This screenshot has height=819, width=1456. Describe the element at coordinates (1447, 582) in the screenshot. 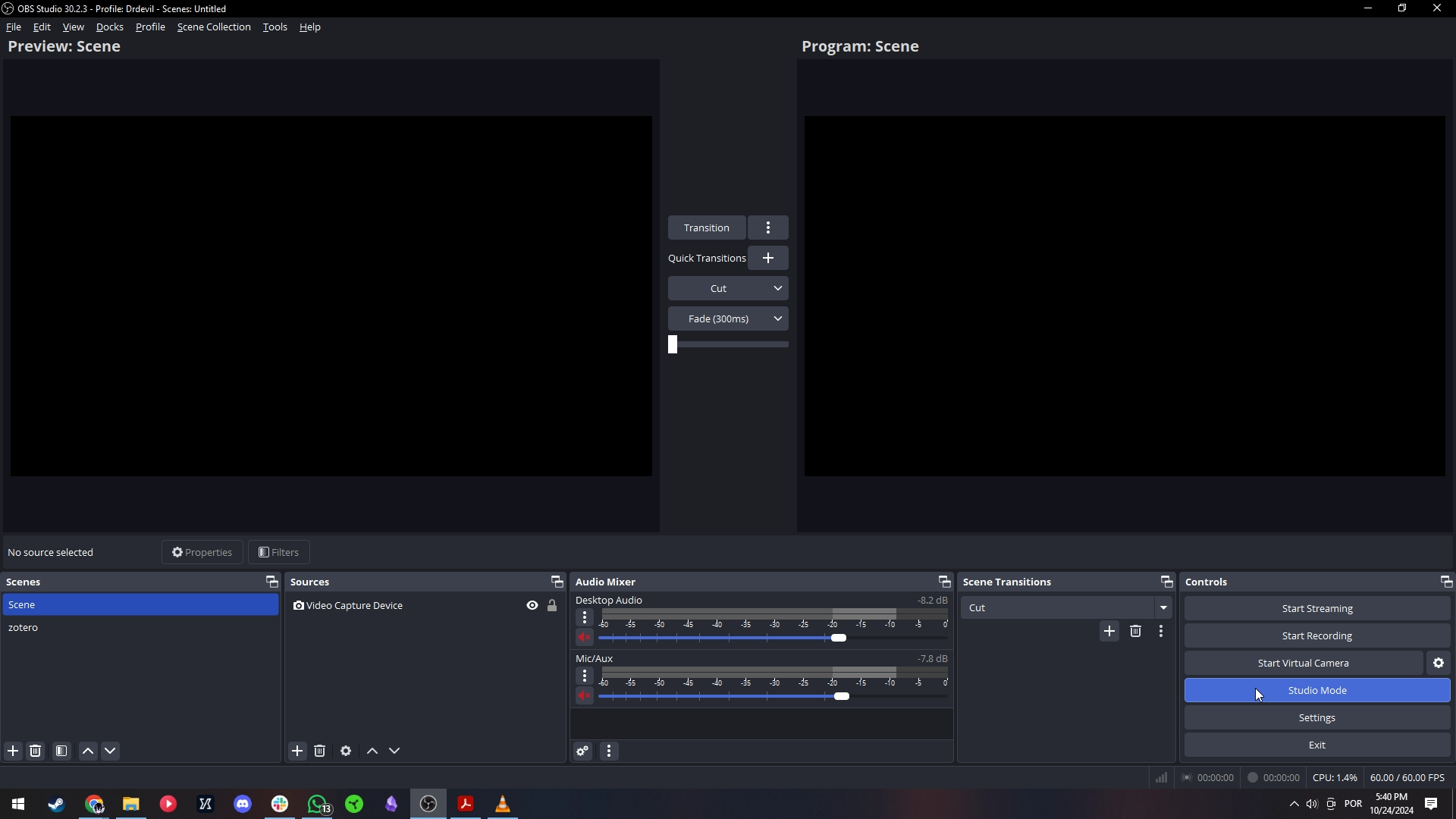

I see `Separate controls window` at that location.